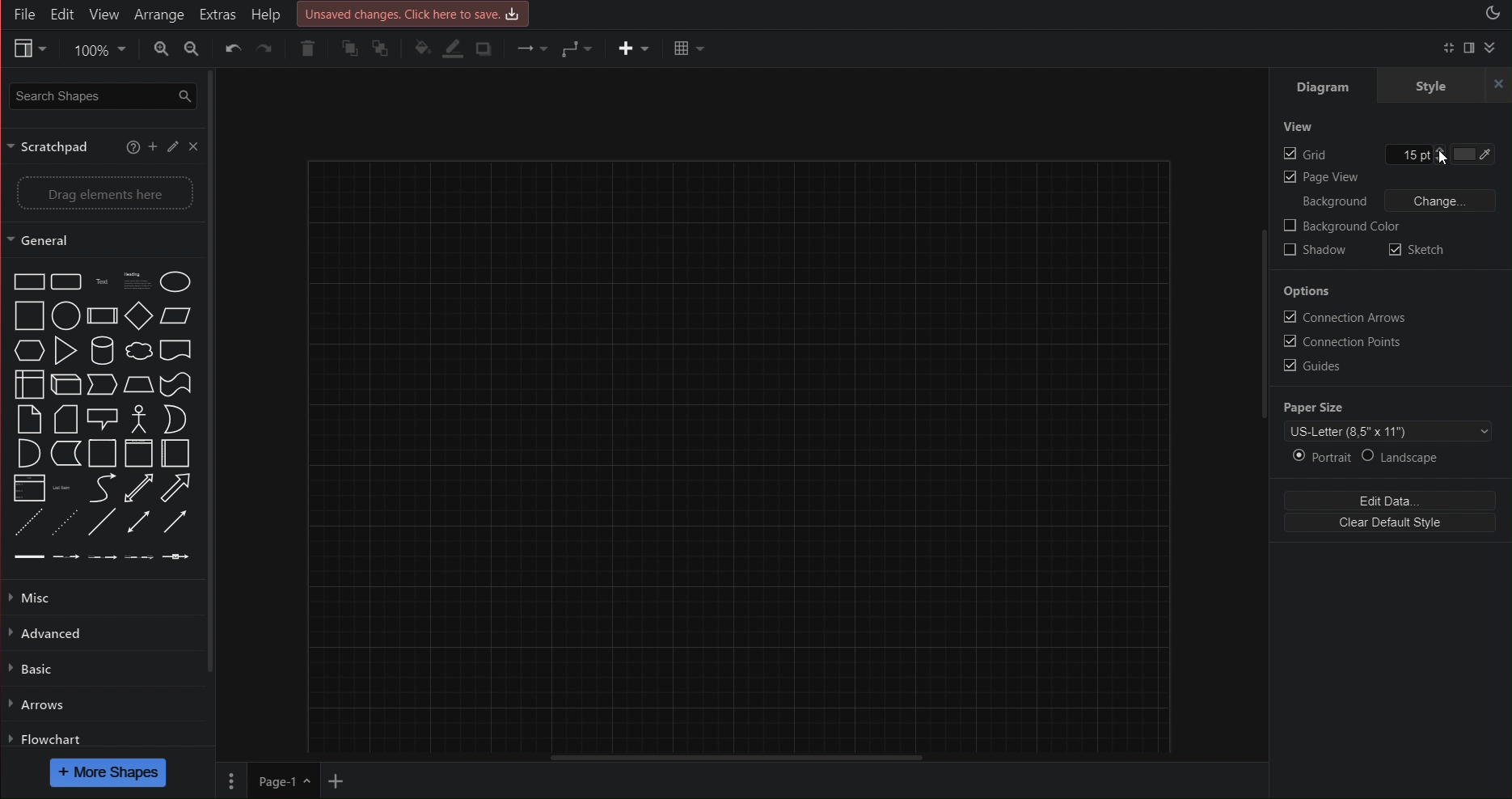 This screenshot has height=799, width=1512. What do you see at coordinates (101, 191) in the screenshot?
I see `Drag elements here` at bounding box center [101, 191].